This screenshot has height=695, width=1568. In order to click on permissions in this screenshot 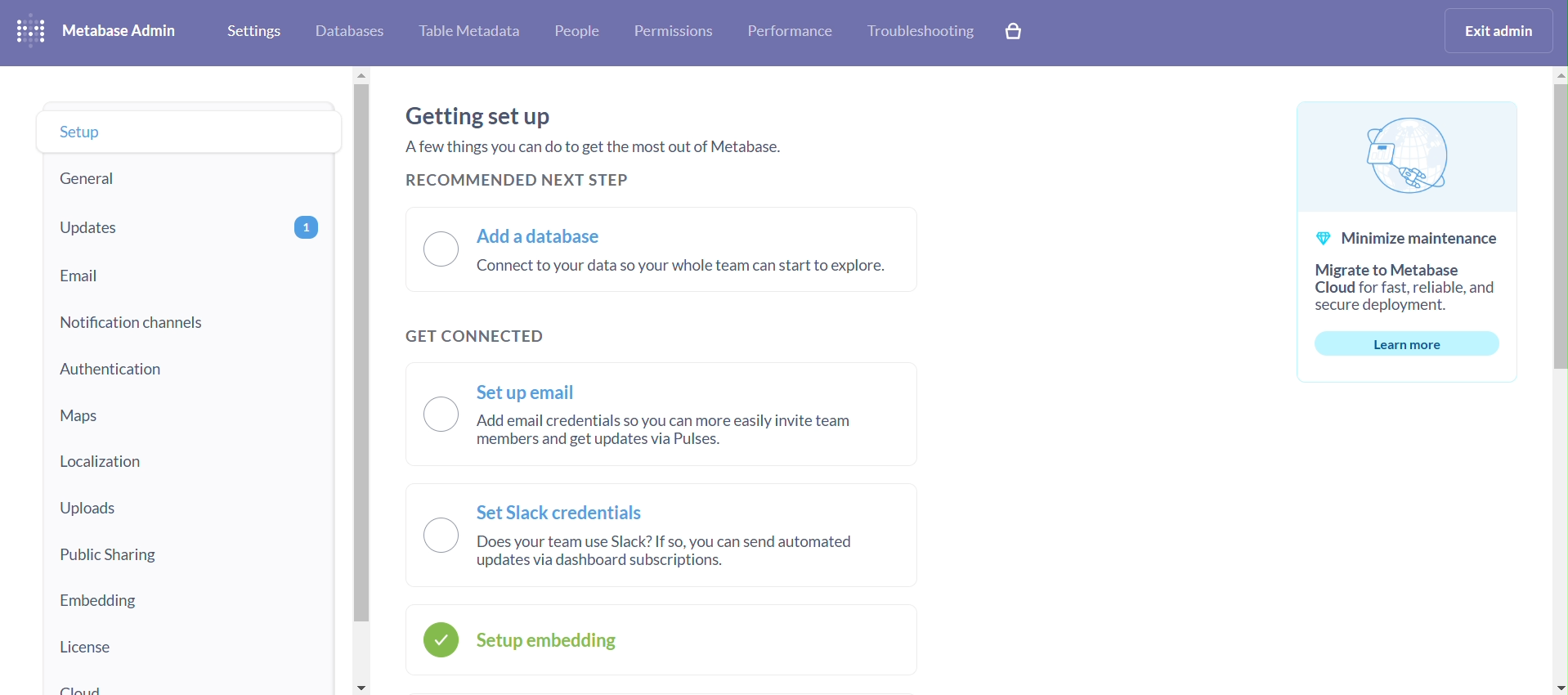, I will do `click(676, 33)`.